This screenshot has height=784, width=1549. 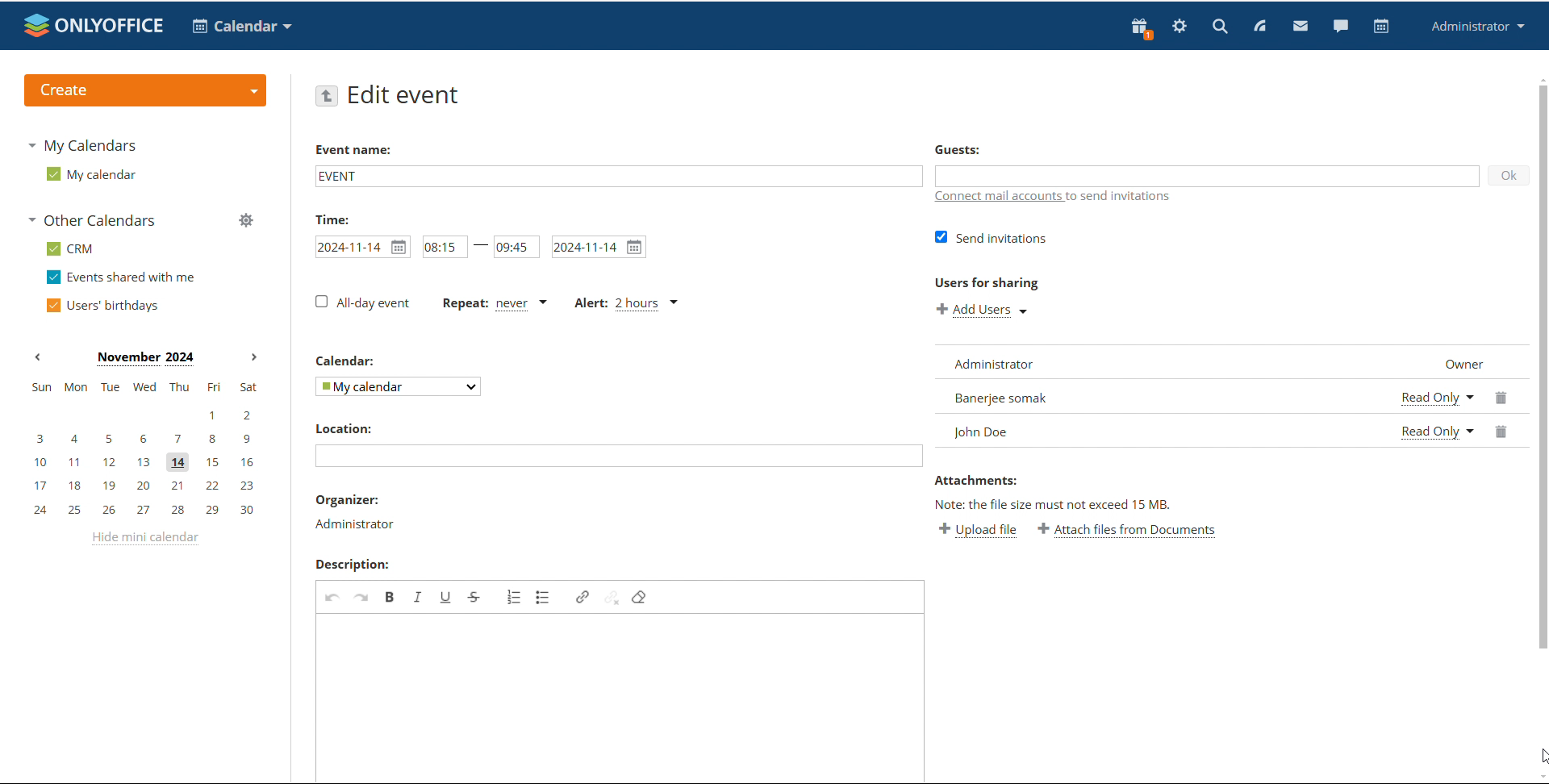 I want to click on 10, 11, 12, 13, 14, 15, 16, so click(x=144, y=463).